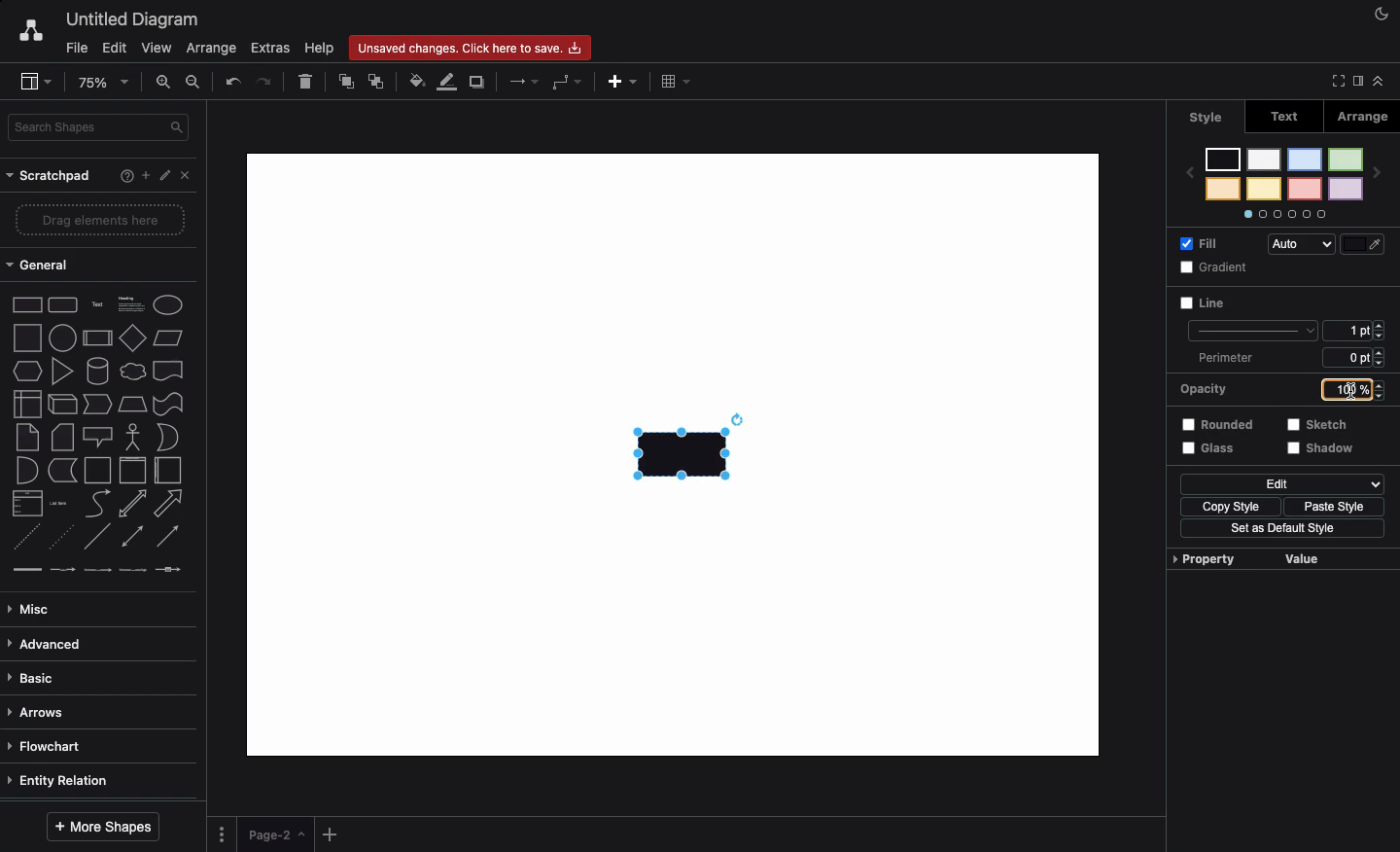 This screenshot has width=1400, height=852. Describe the element at coordinates (376, 83) in the screenshot. I see `To back` at that location.